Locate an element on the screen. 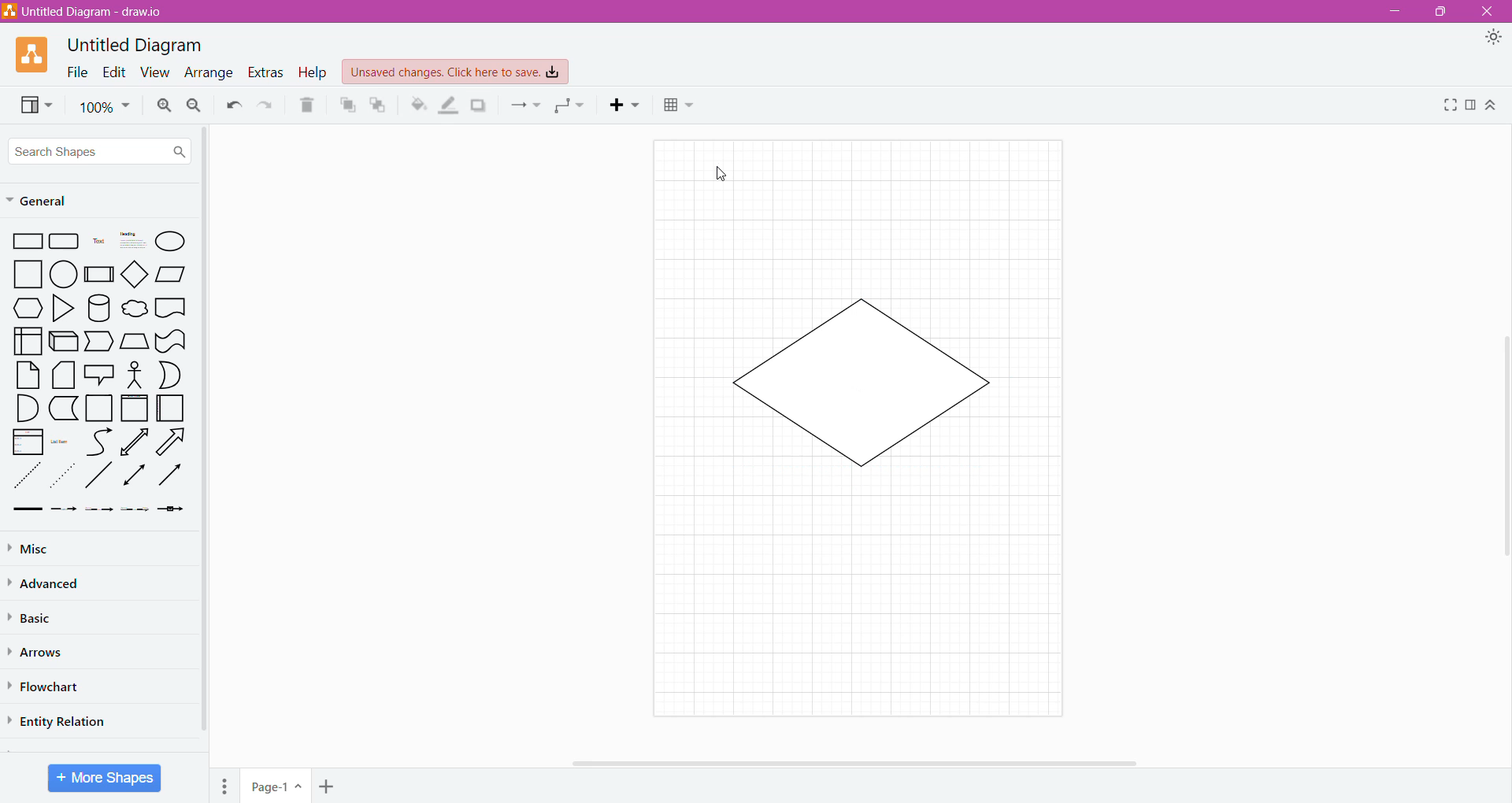 This screenshot has width=1512, height=803. Horizontal Scroll Bar is located at coordinates (858, 761).